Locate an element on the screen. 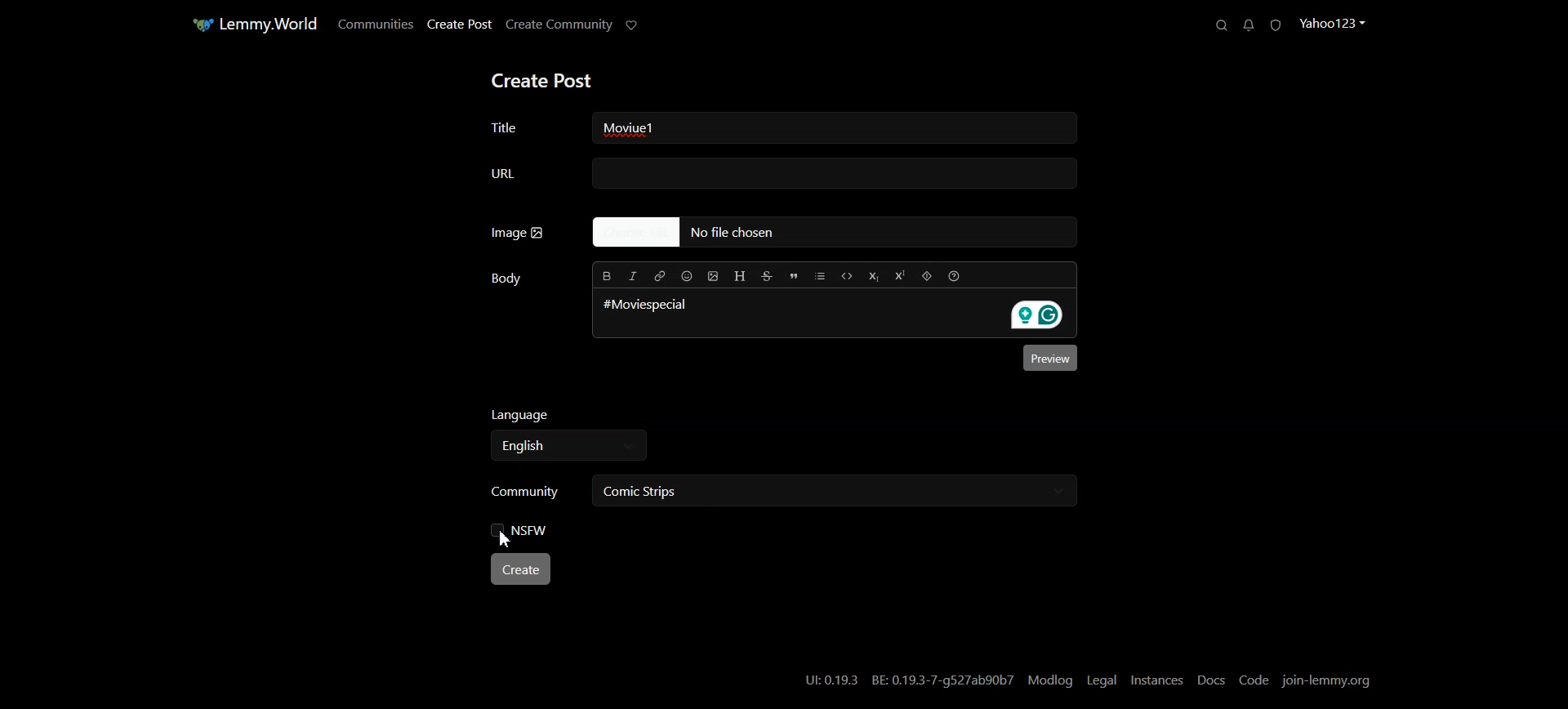 The image size is (1568, 709). Code is located at coordinates (847, 274).